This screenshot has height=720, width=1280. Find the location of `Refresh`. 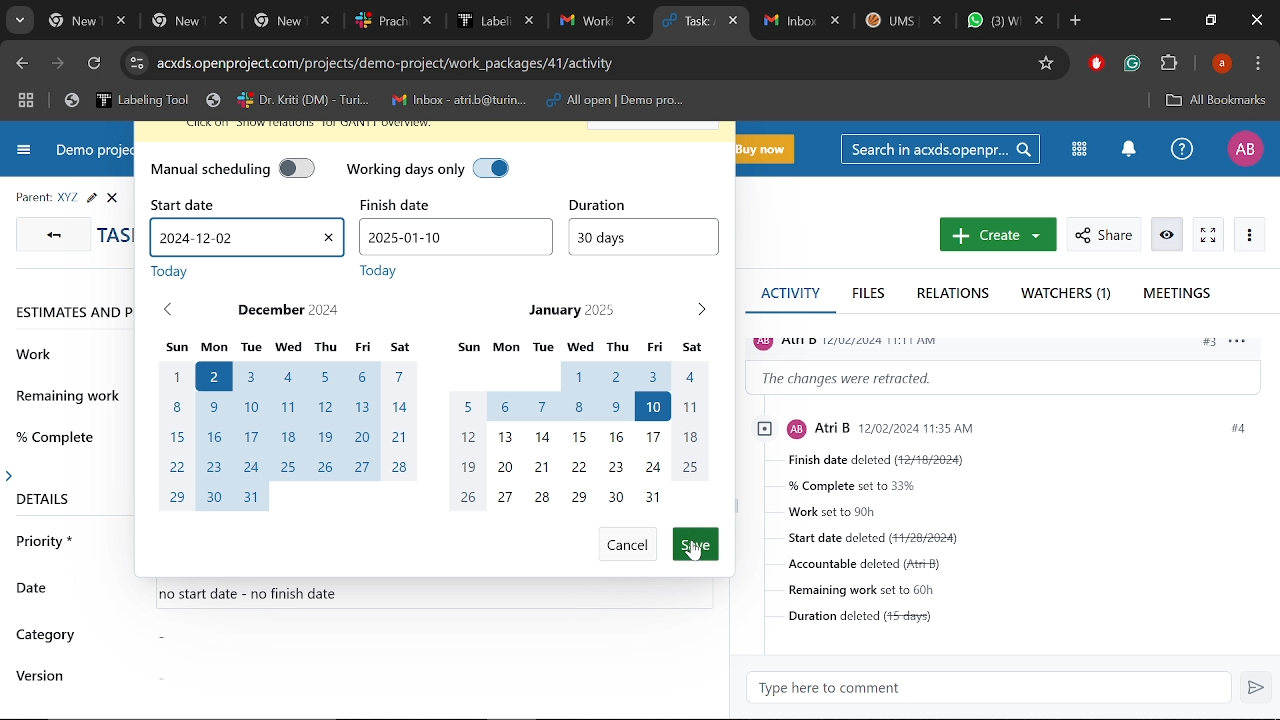

Refresh is located at coordinates (95, 66).